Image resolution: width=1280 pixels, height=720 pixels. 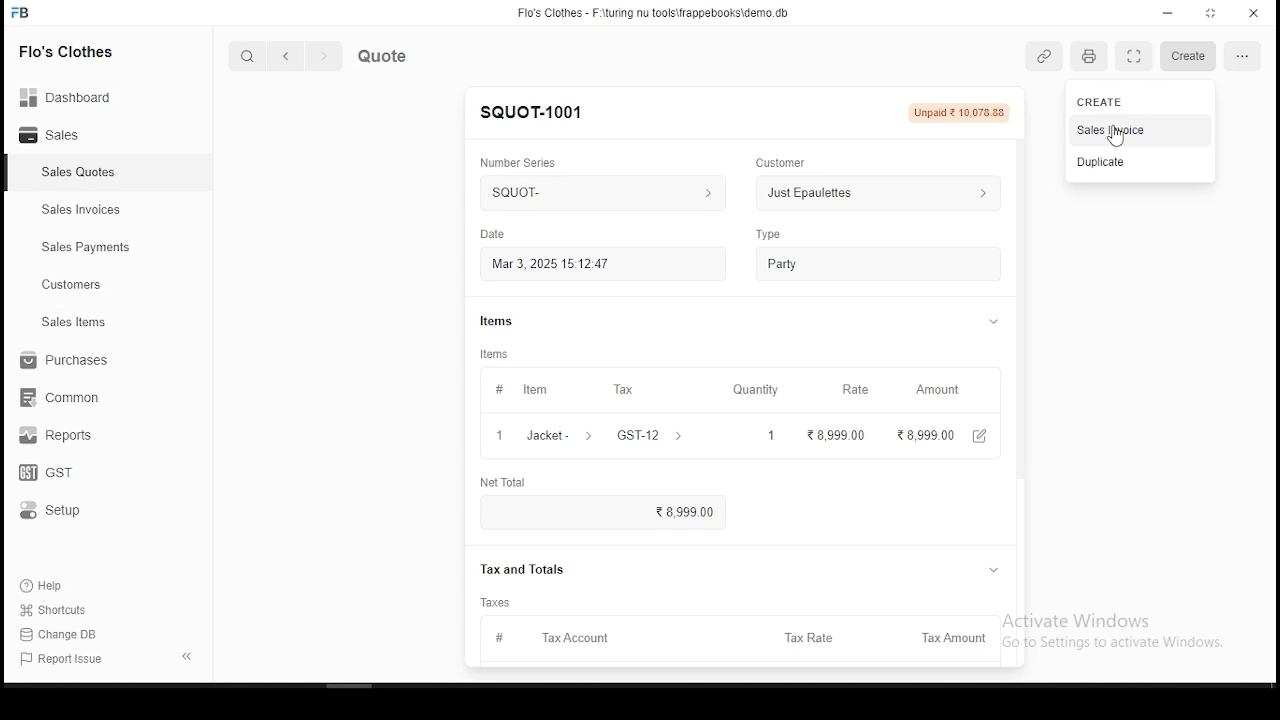 What do you see at coordinates (653, 435) in the screenshot?
I see `GST-12 >` at bounding box center [653, 435].